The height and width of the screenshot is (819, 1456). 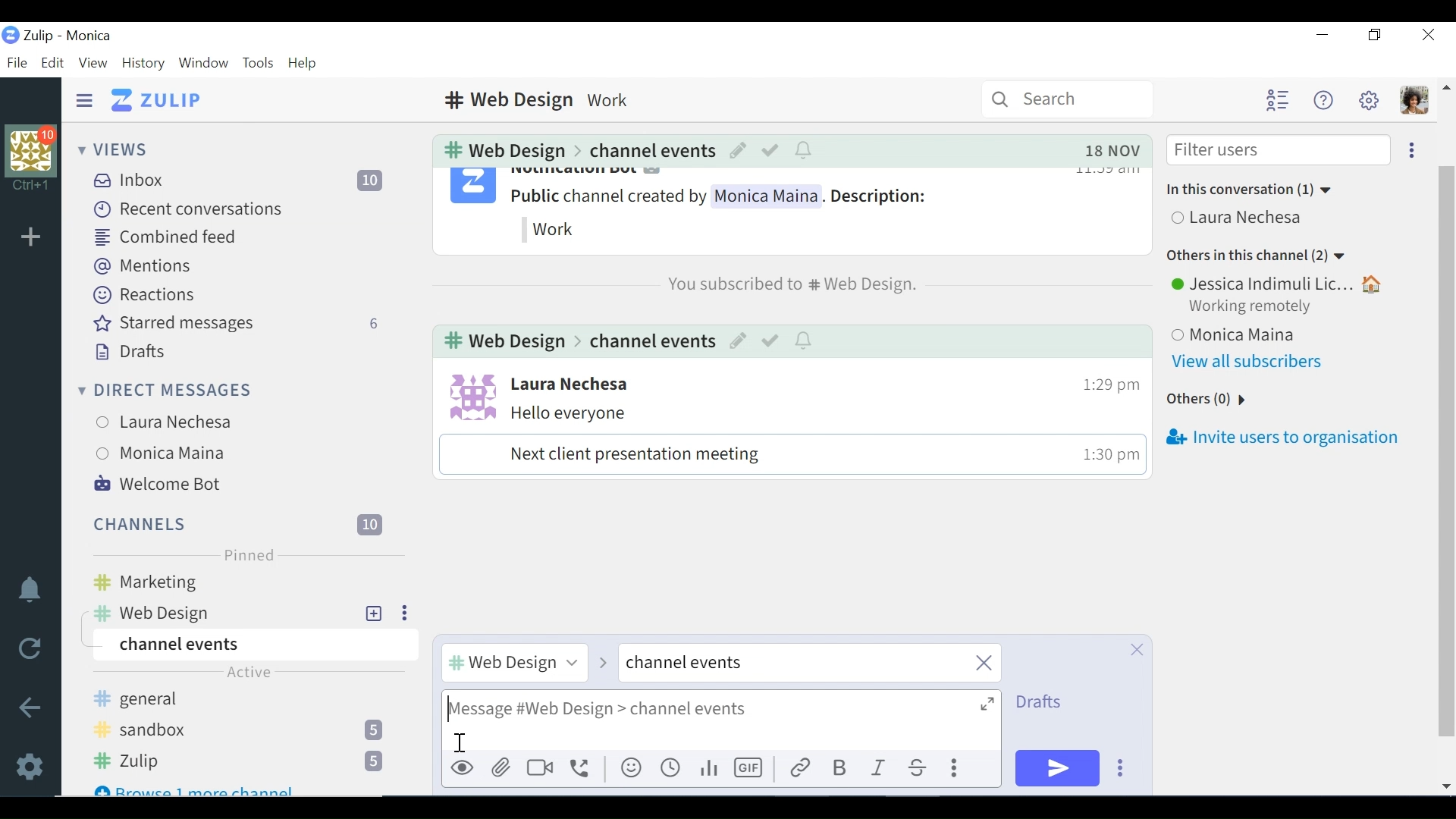 I want to click on link, so click(x=799, y=769).